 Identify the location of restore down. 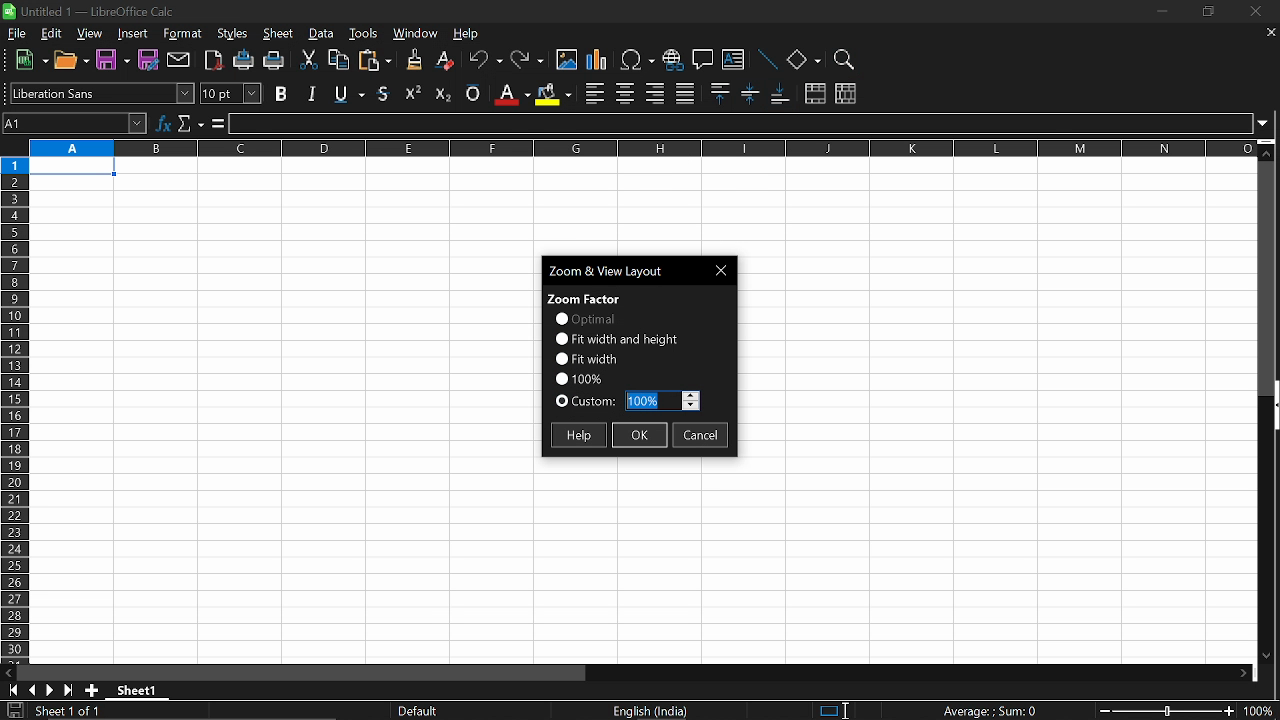
(1206, 13).